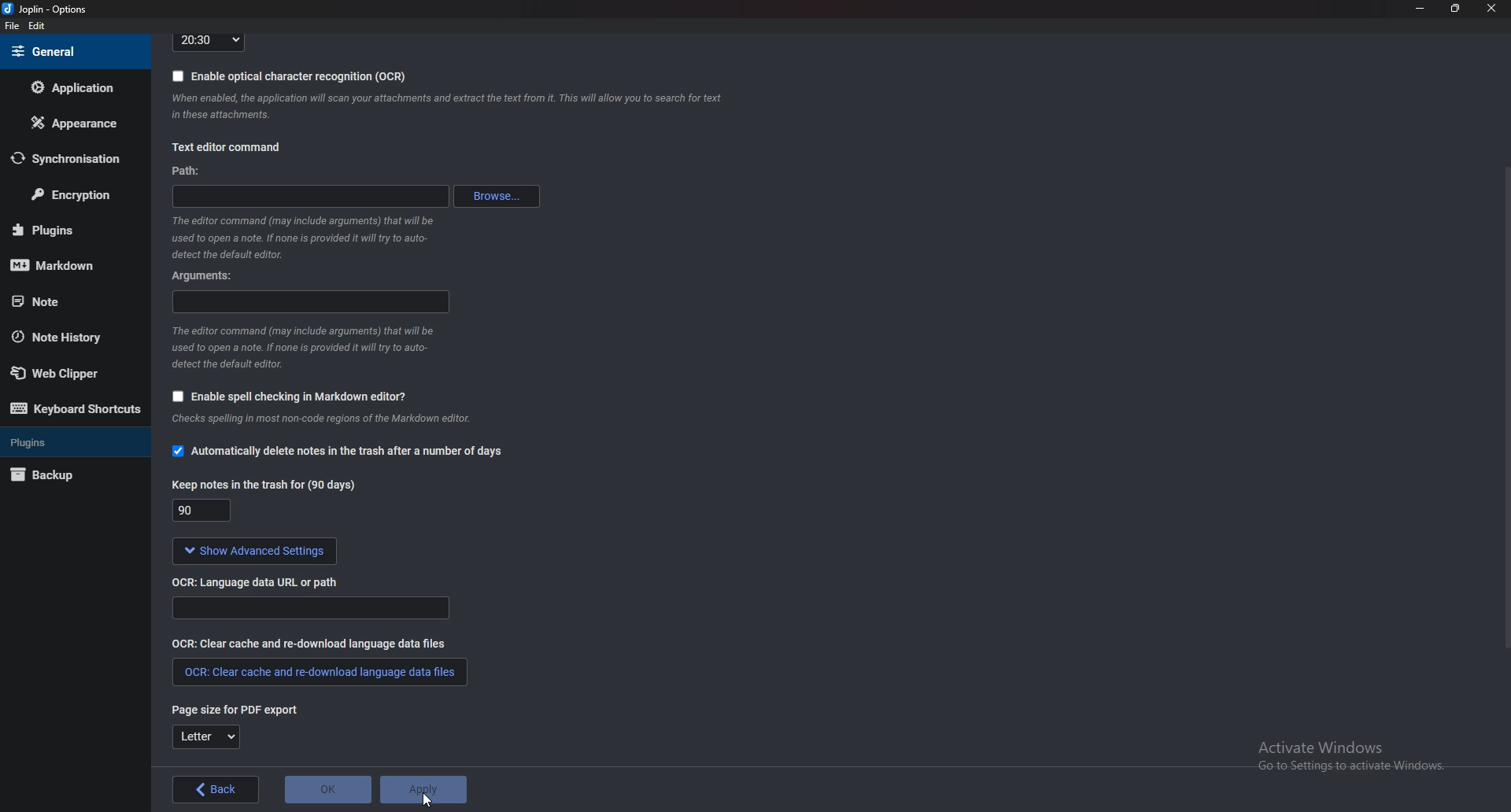 The height and width of the screenshot is (812, 1511). Describe the element at coordinates (327, 788) in the screenshot. I see `ok` at that location.